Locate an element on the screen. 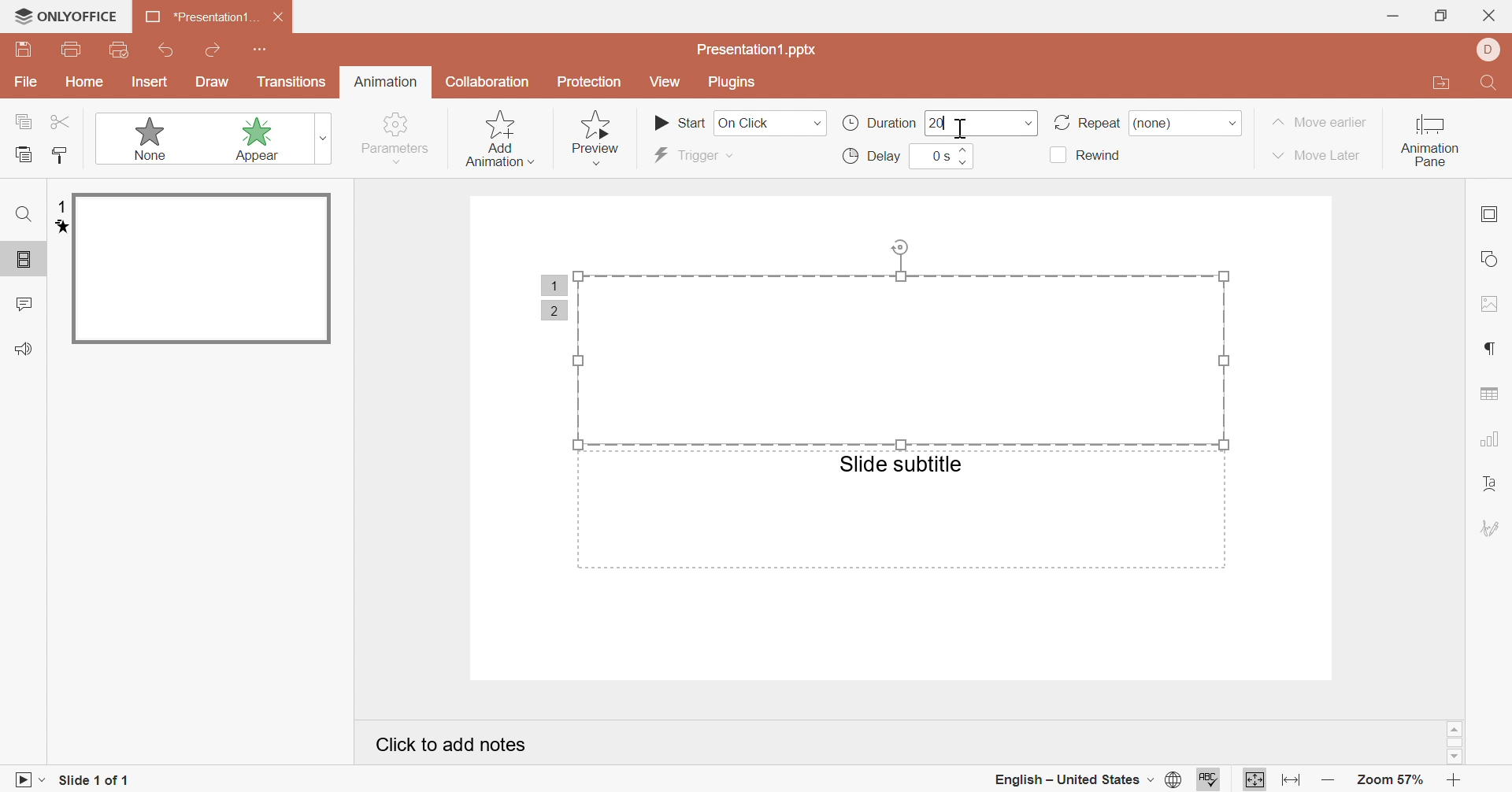  animation pane is located at coordinates (1430, 142).